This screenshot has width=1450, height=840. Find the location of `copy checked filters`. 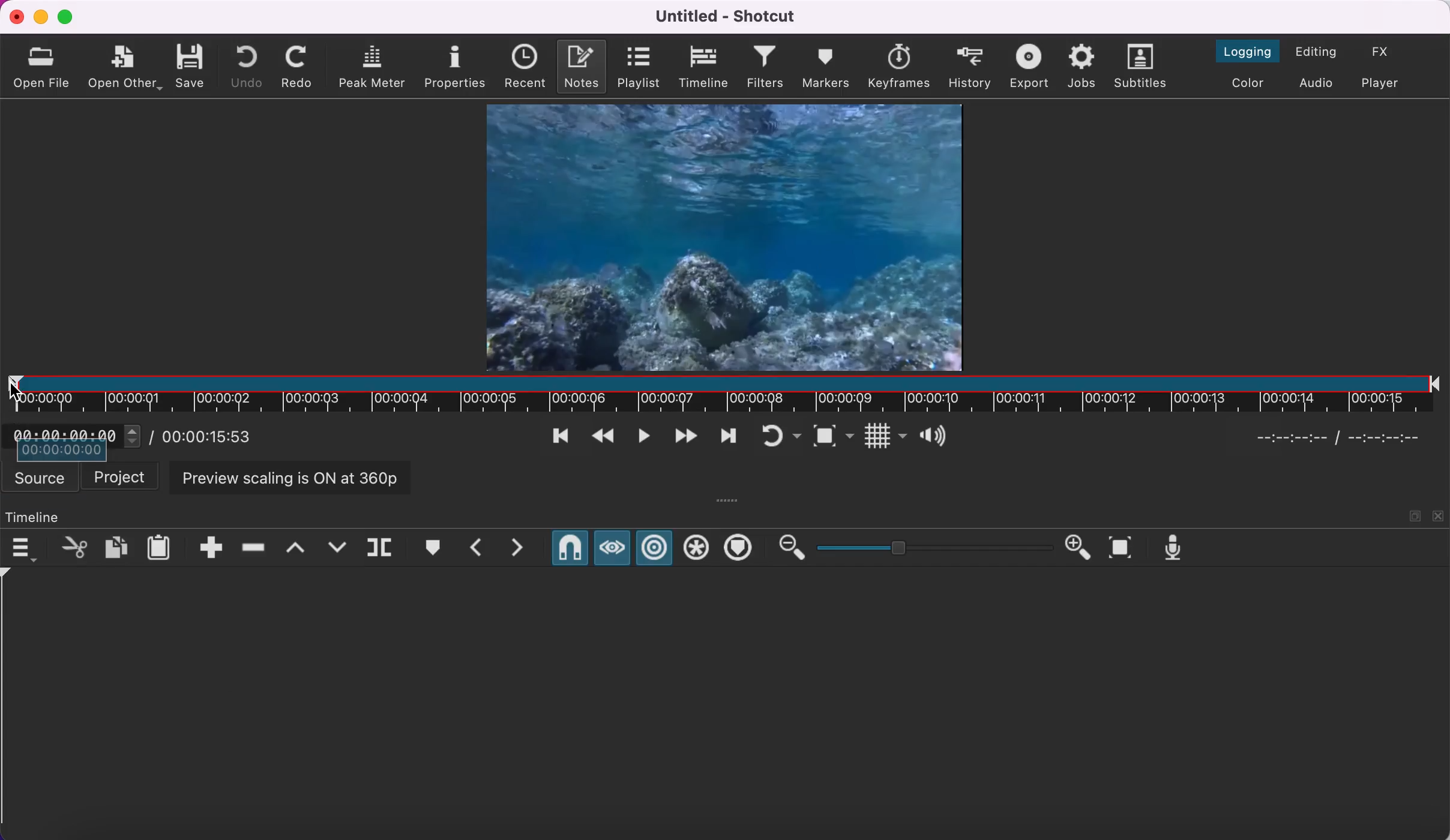

copy checked filters is located at coordinates (115, 547).